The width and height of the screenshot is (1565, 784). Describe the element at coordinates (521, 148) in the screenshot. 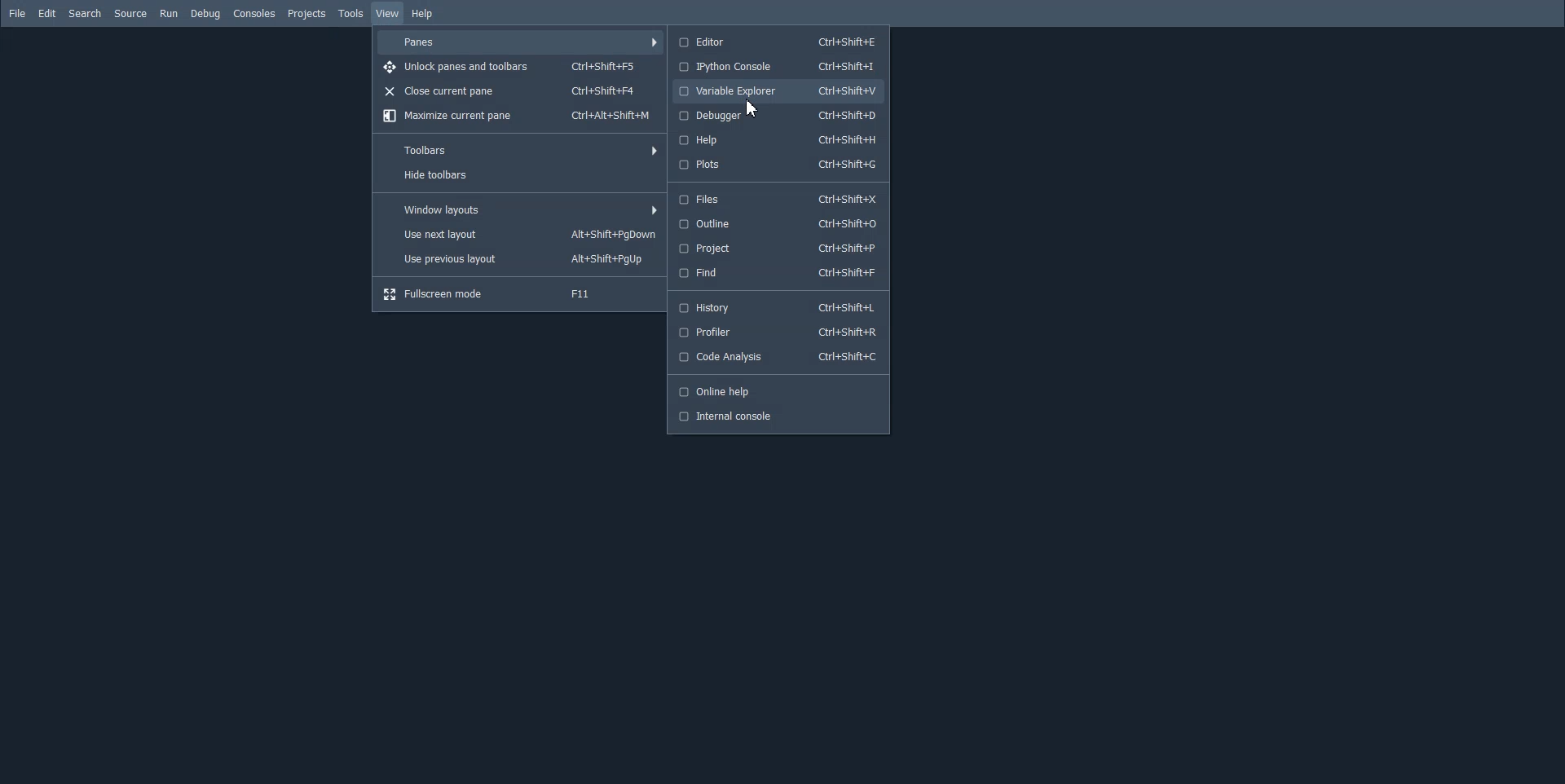

I see `Toolbars` at that location.